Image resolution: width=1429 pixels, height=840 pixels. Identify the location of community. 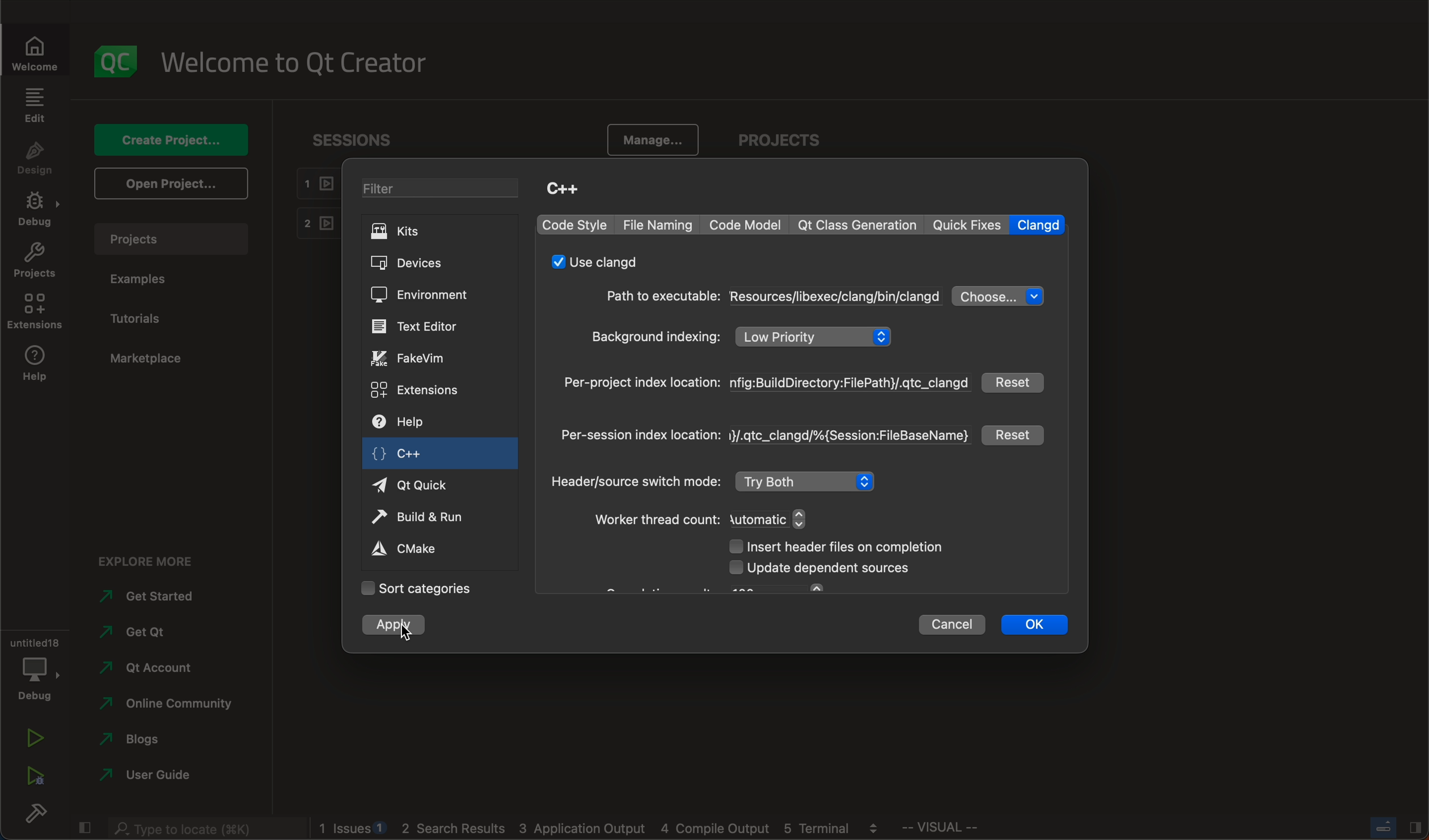
(171, 705).